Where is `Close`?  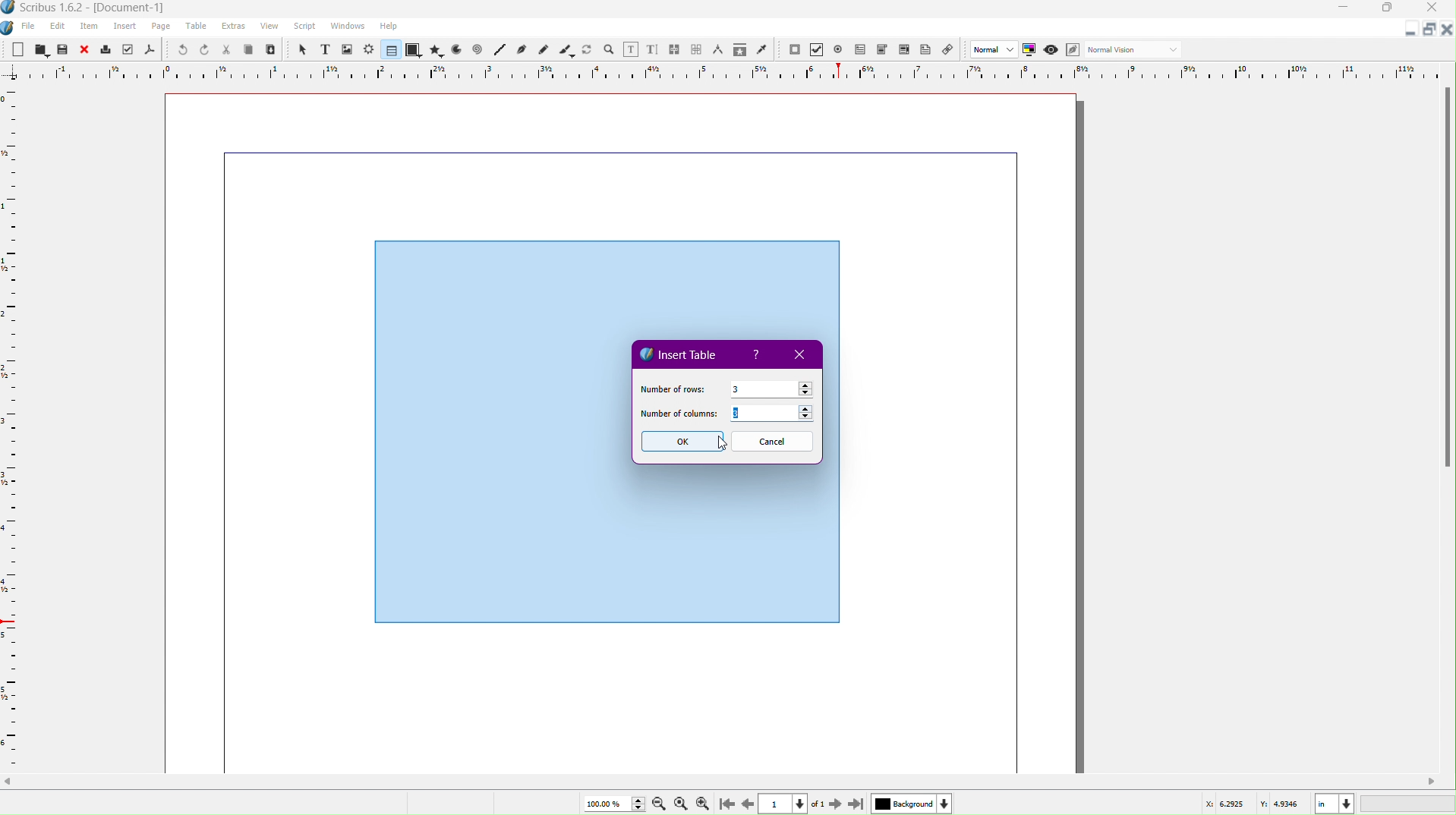
Close is located at coordinates (86, 49).